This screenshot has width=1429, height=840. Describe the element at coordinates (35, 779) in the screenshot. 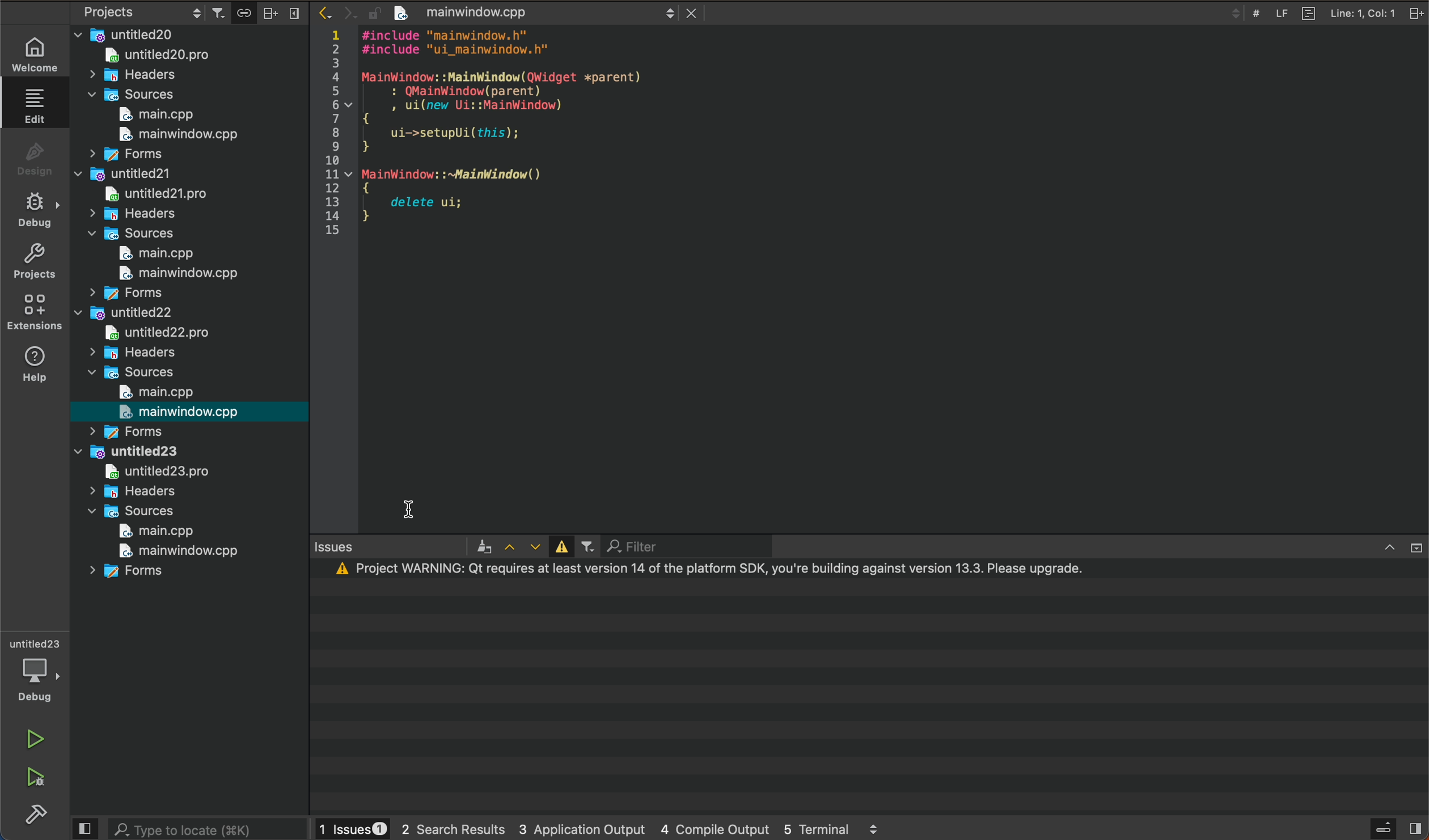

I see `run debug` at that location.